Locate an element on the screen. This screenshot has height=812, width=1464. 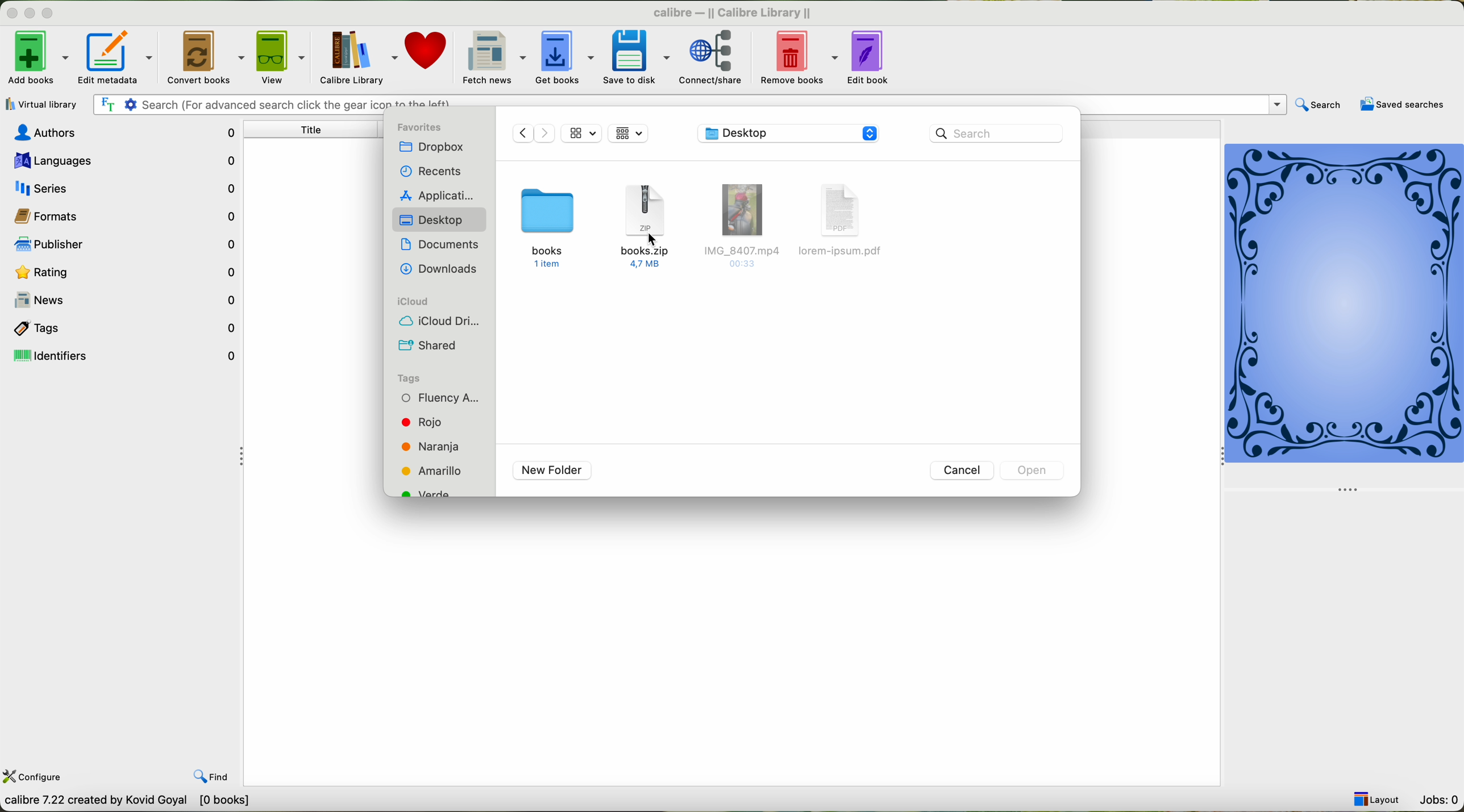
orange tag is located at coordinates (432, 447).